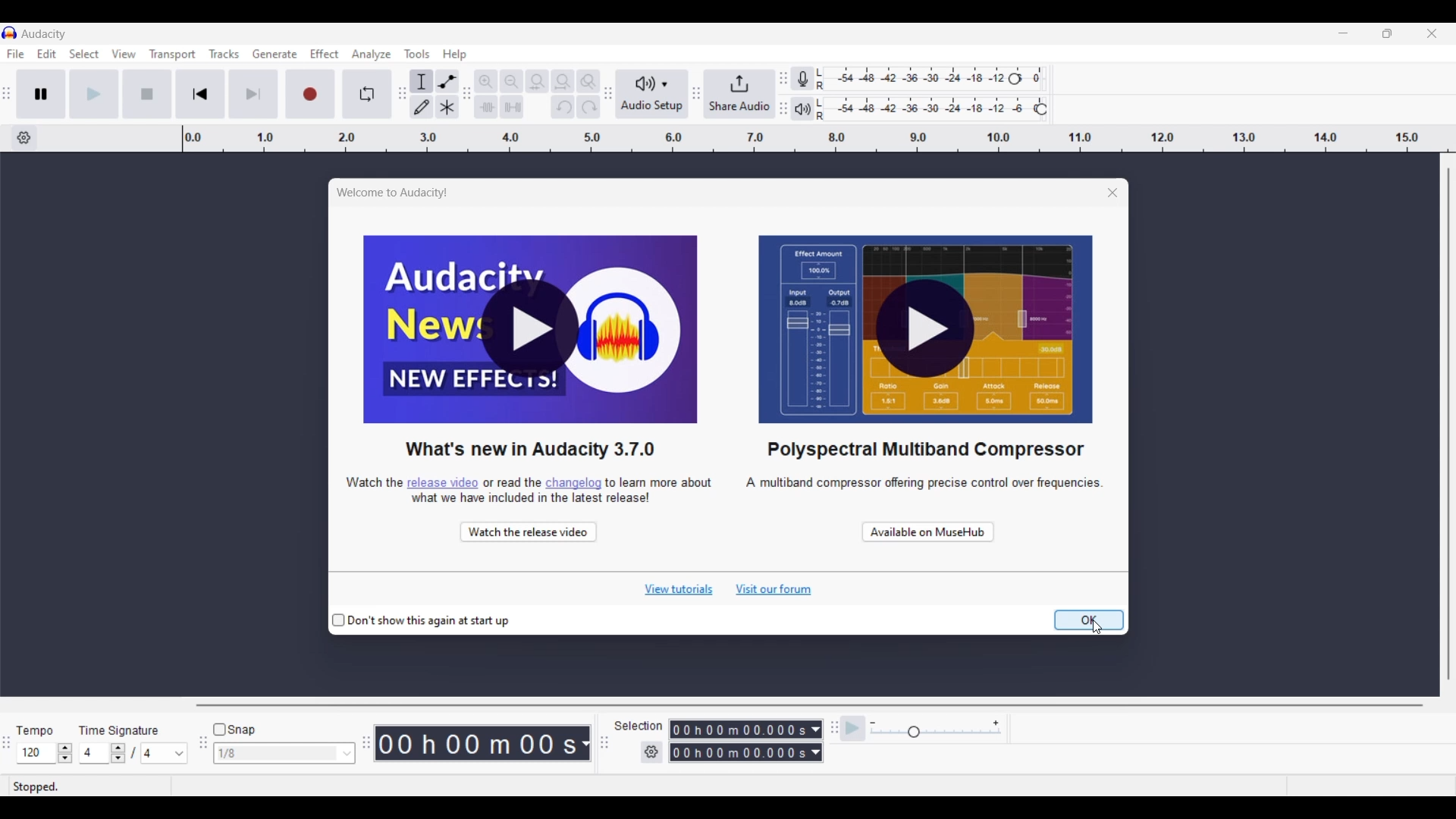 This screenshot has height=819, width=1456. I want to click on Redo, so click(588, 107).